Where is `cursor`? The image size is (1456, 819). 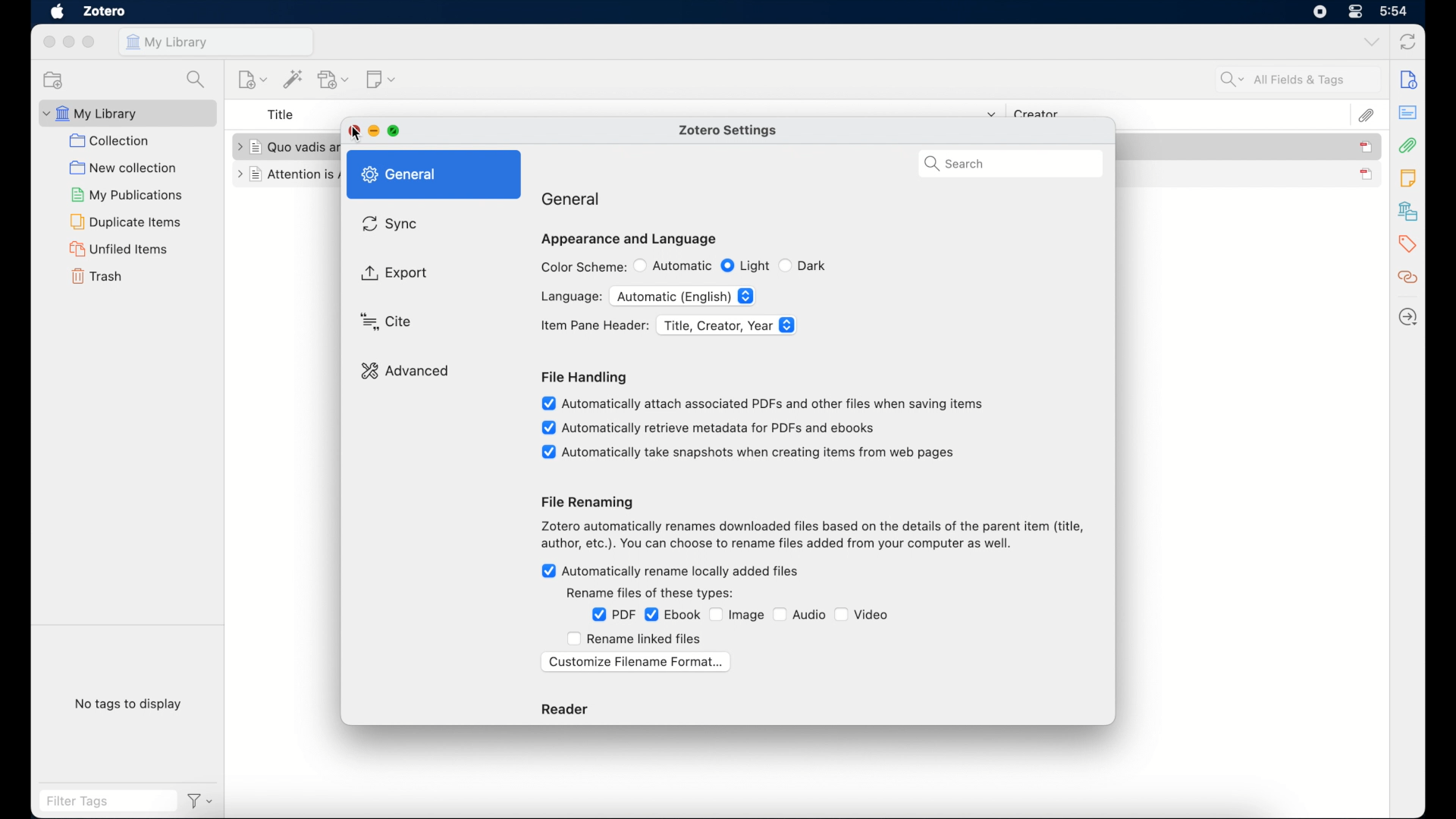 cursor is located at coordinates (387, 322).